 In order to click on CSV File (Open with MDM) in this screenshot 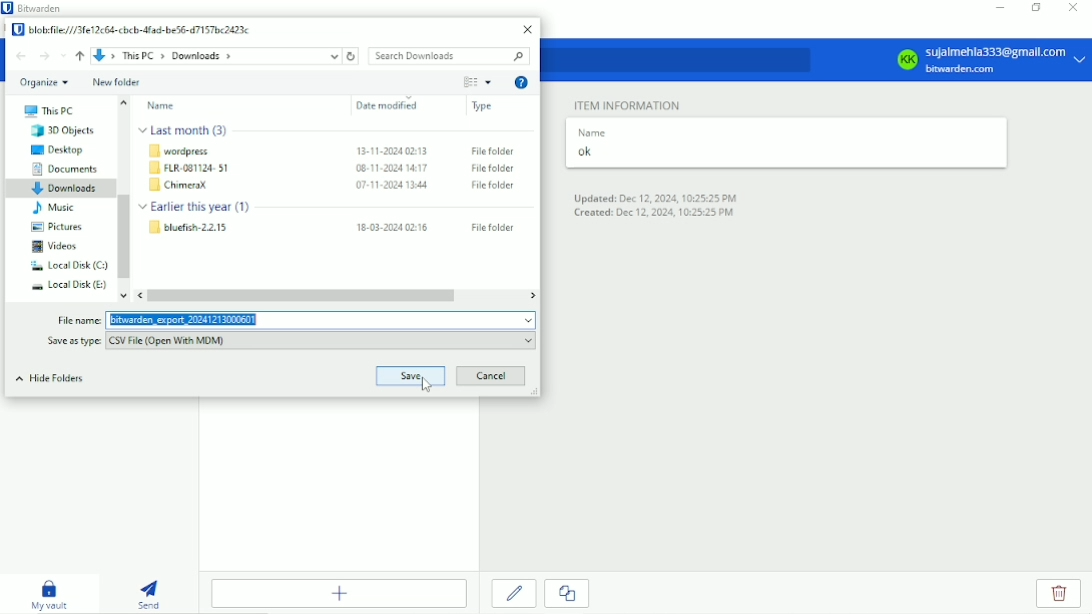, I will do `click(321, 341)`.